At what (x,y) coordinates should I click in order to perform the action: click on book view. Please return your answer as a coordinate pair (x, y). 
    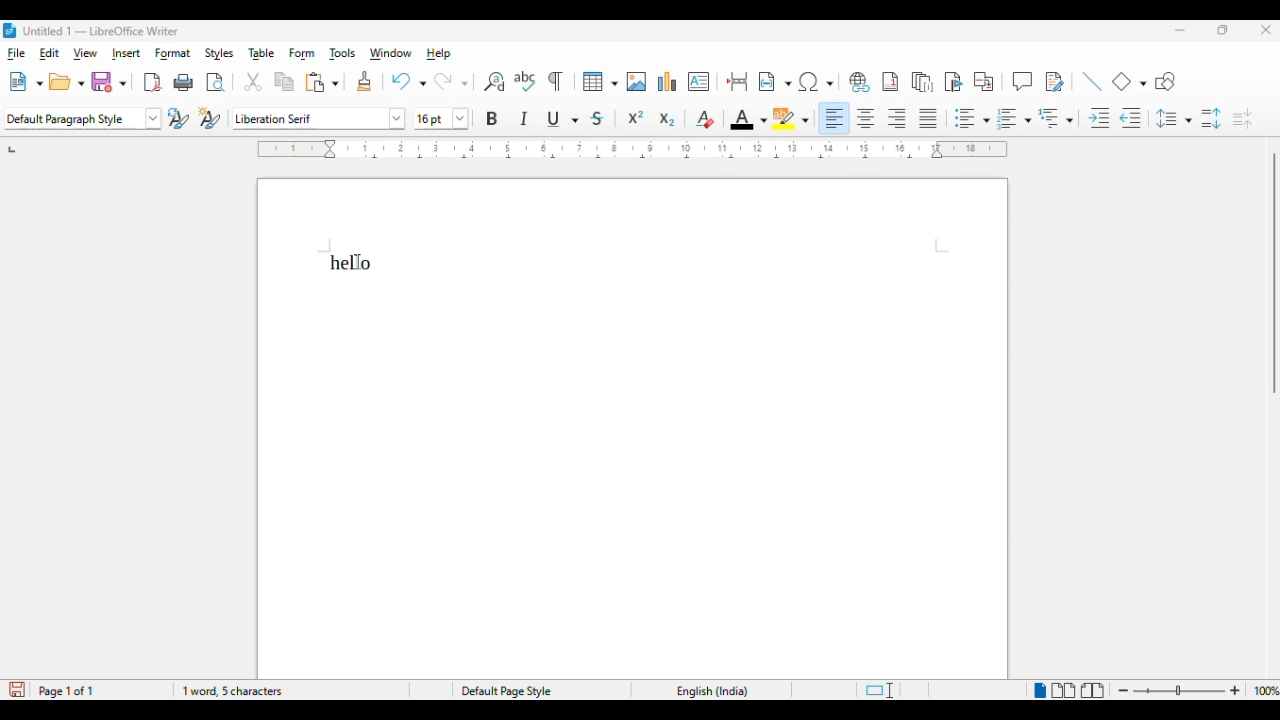
    Looking at the image, I should click on (1093, 692).